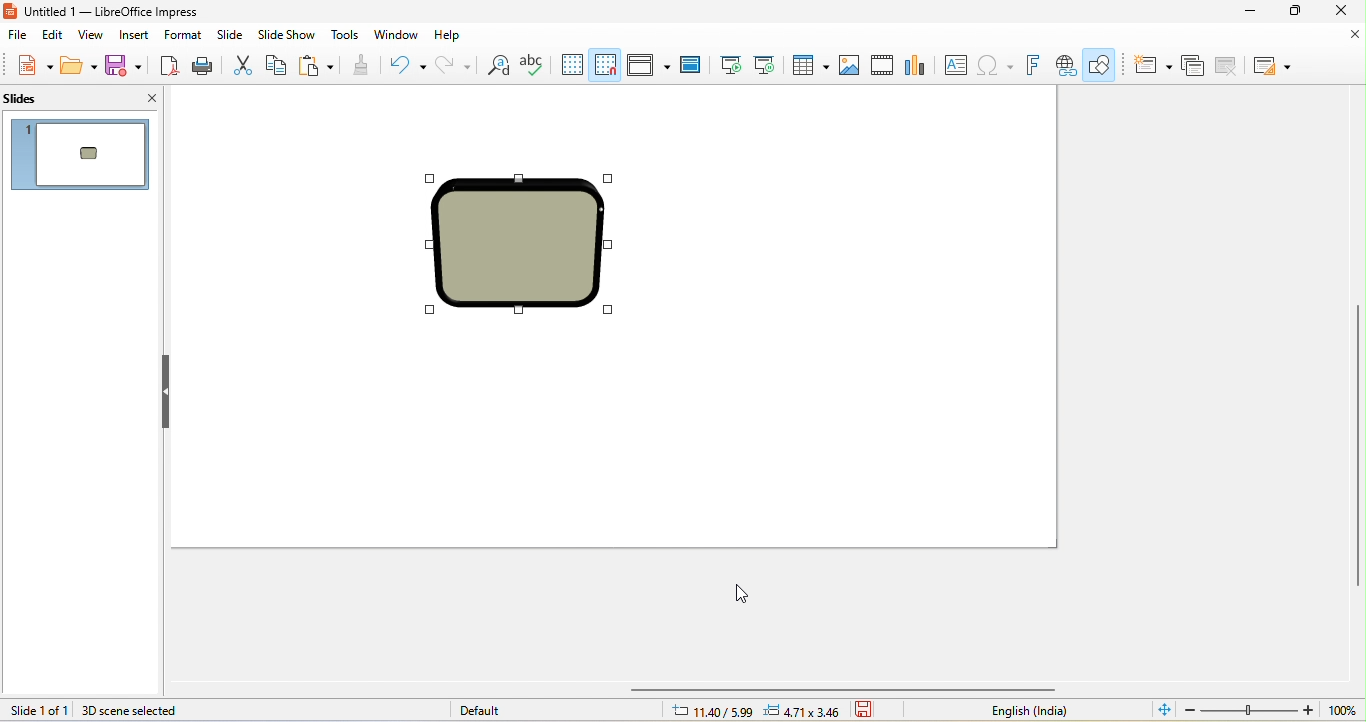 The height and width of the screenshot is (722, 1366). I want to click on show draw function, so click(1102, 65).